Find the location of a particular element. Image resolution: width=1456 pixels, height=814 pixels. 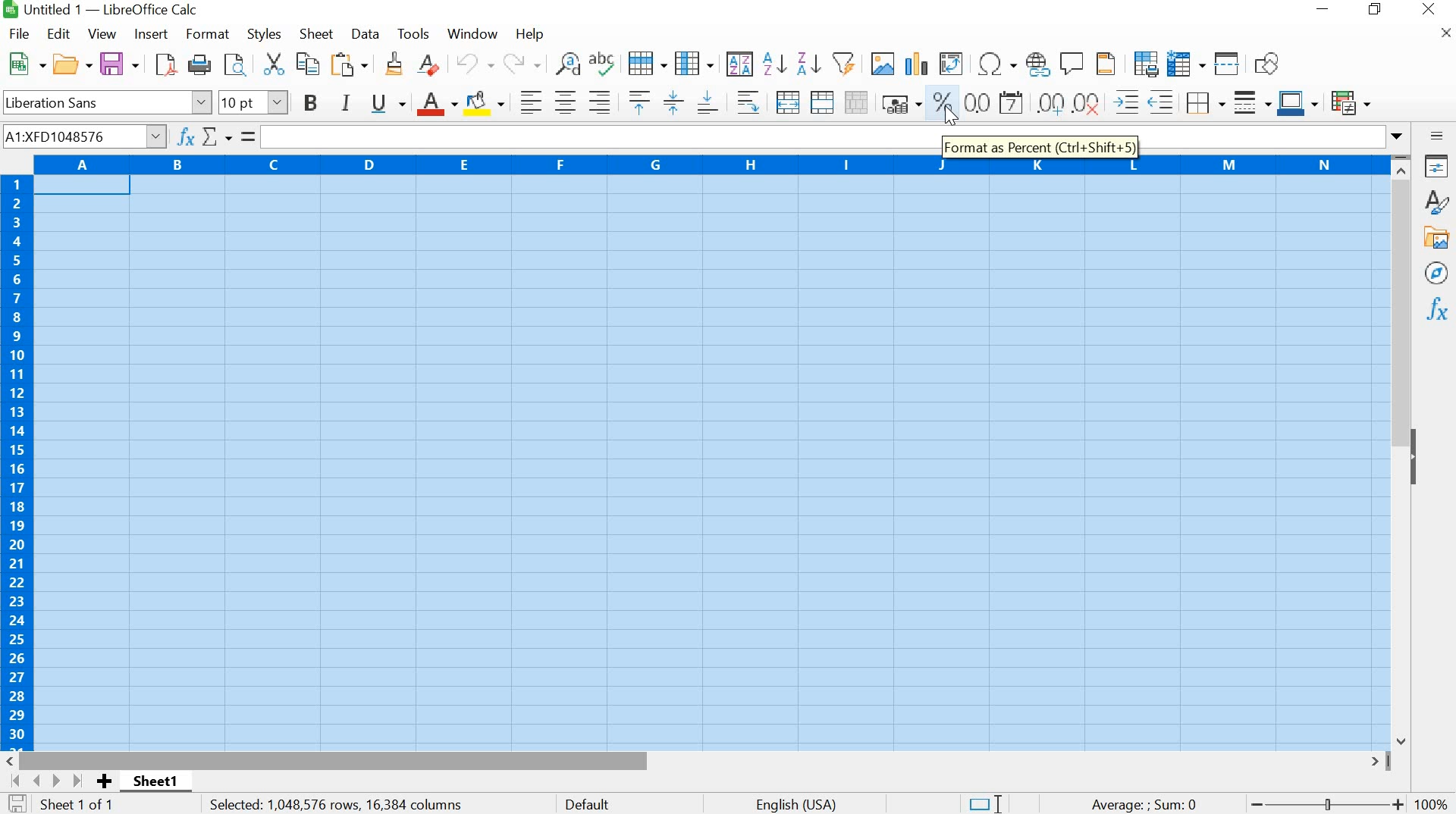

Column is located at coordinates (695, 65).